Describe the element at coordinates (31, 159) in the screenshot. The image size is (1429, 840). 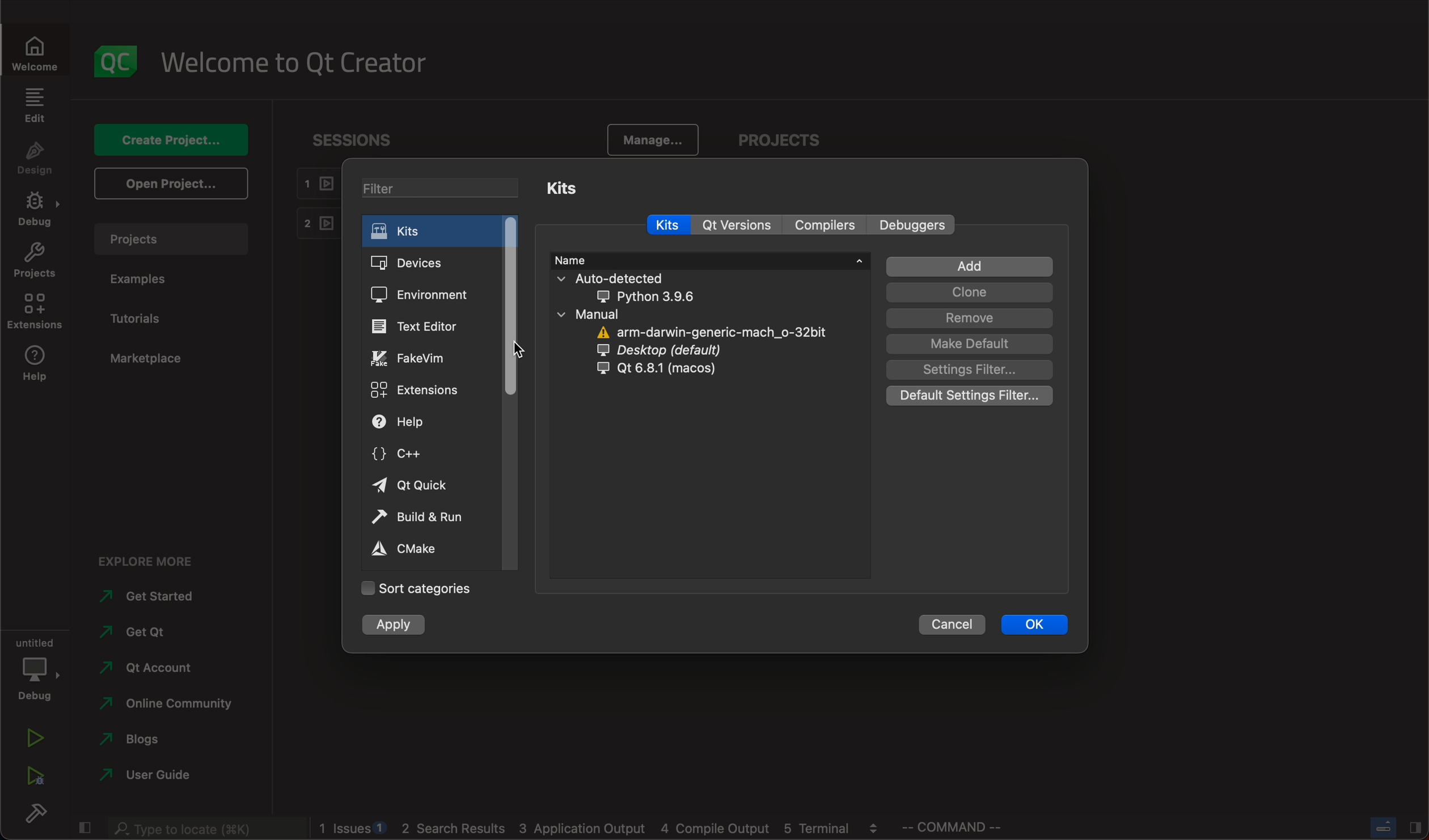
I see `design` at that location.